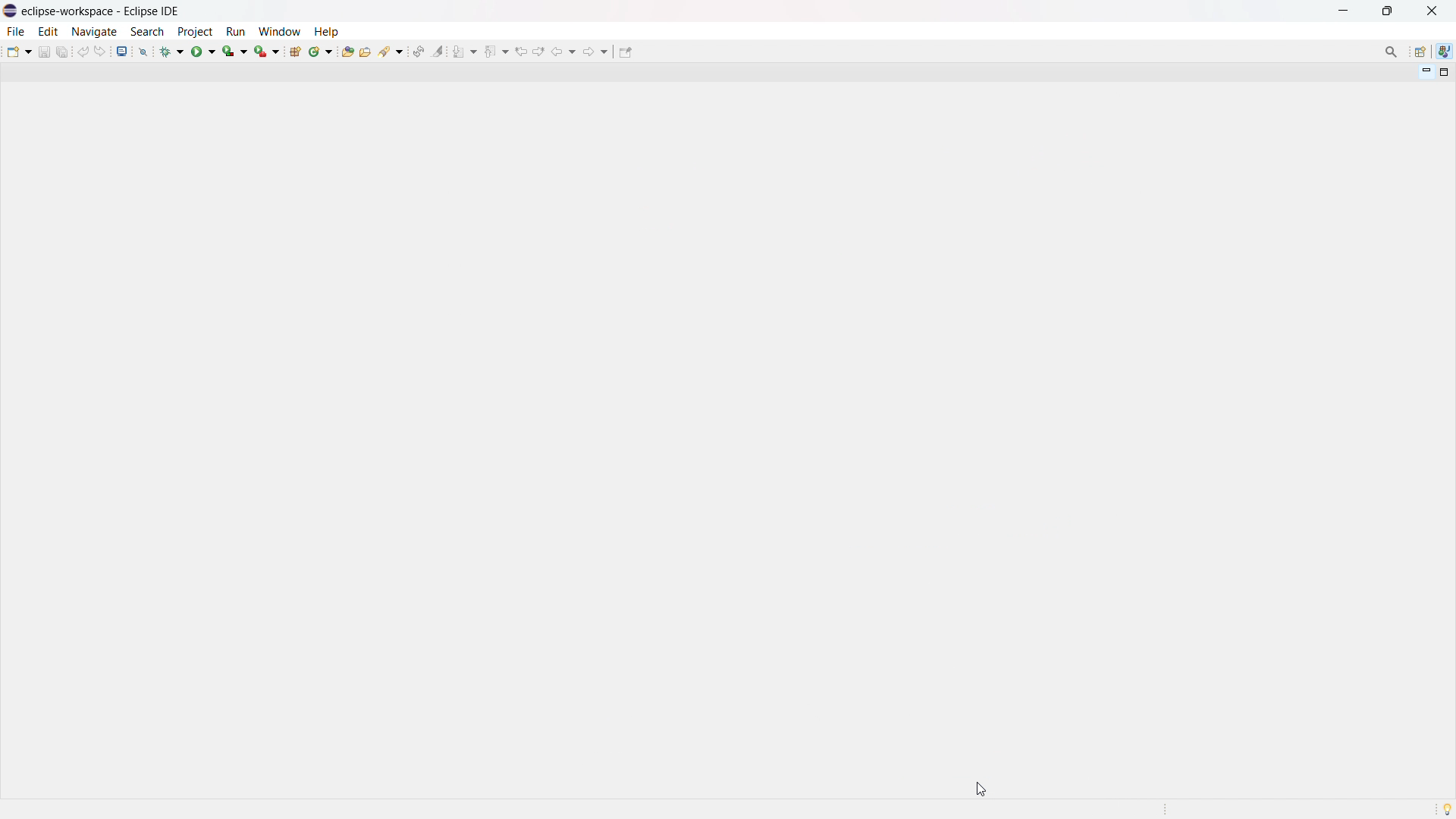 The width and height of the screenshot is (1456, 819). I want to click on minimize view, so click(1424, 71).